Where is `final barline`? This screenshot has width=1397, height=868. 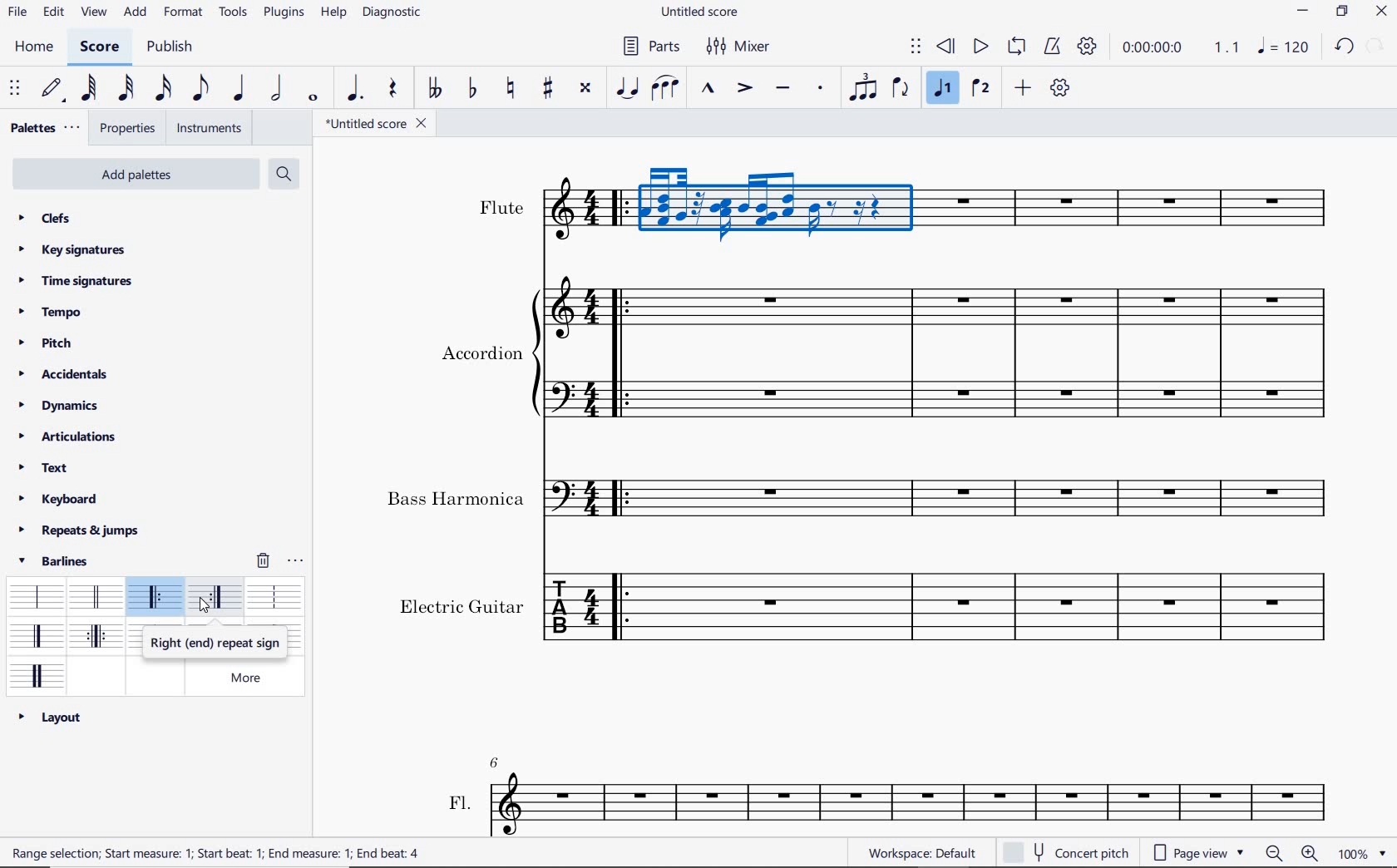
final barline is located at coordinates (37, 635).